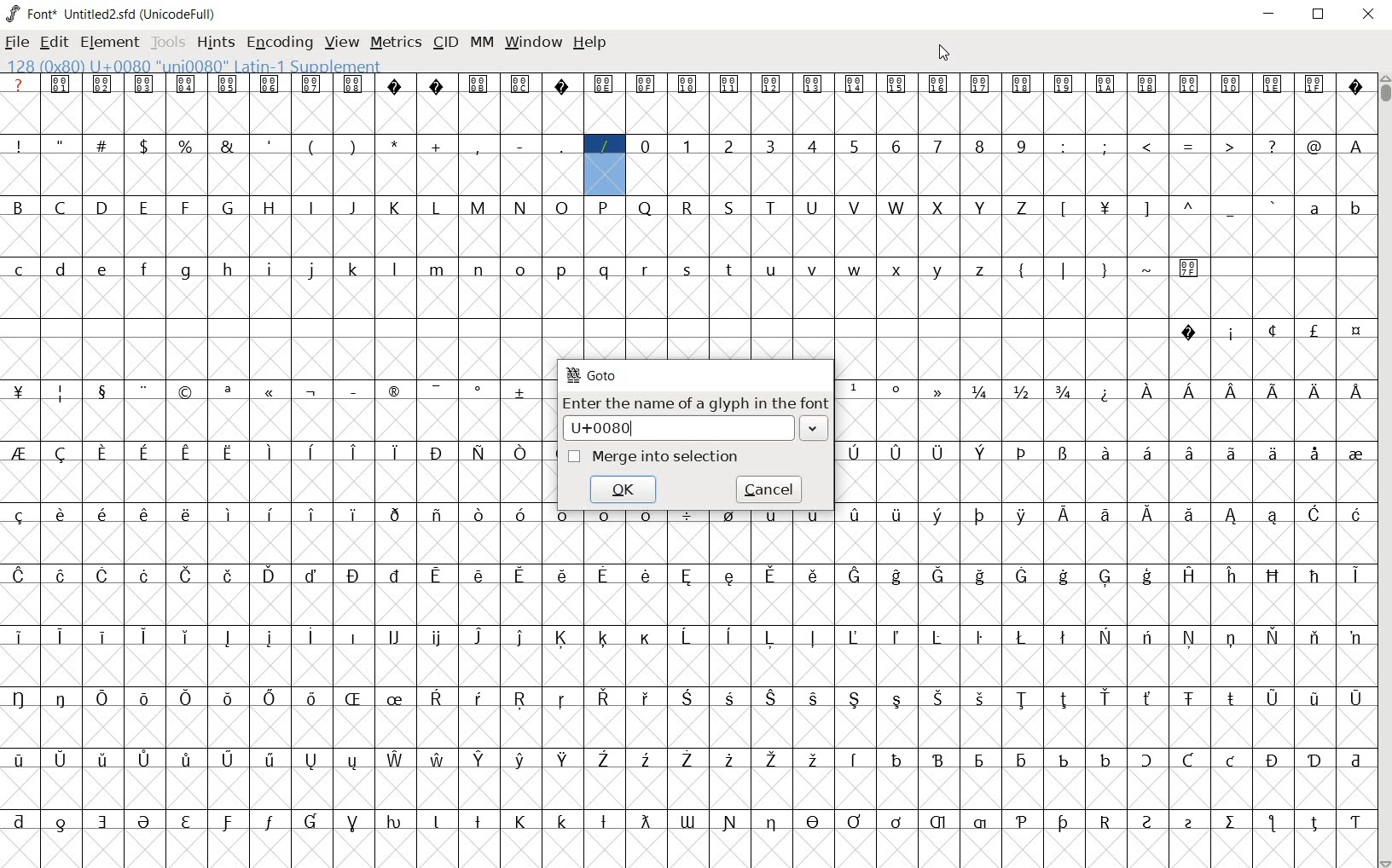  What do you see at coordinates (57, 40) in the screenshot?
I see `EDIT` at bounding box center [57, 40].